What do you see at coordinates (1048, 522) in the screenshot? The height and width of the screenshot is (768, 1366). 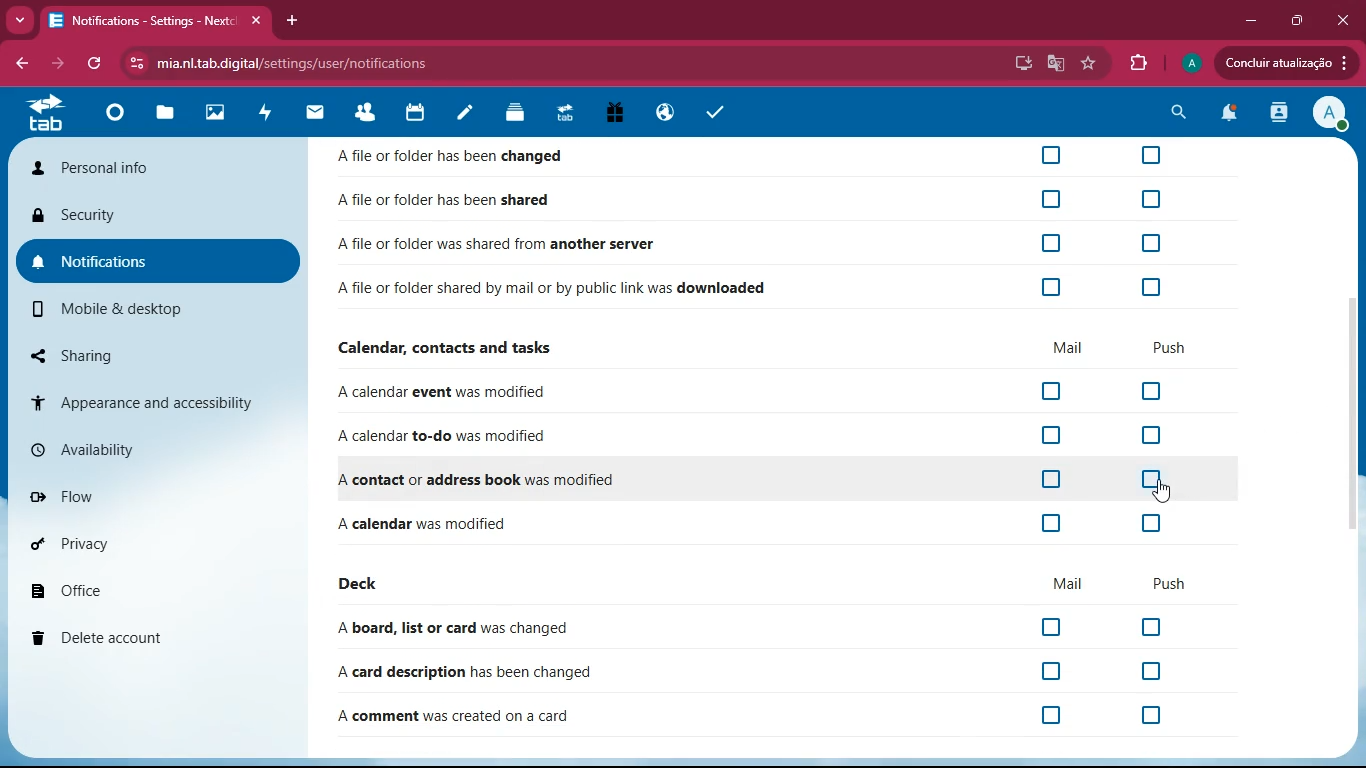 I see `off` at bounding box center [1048, 522].